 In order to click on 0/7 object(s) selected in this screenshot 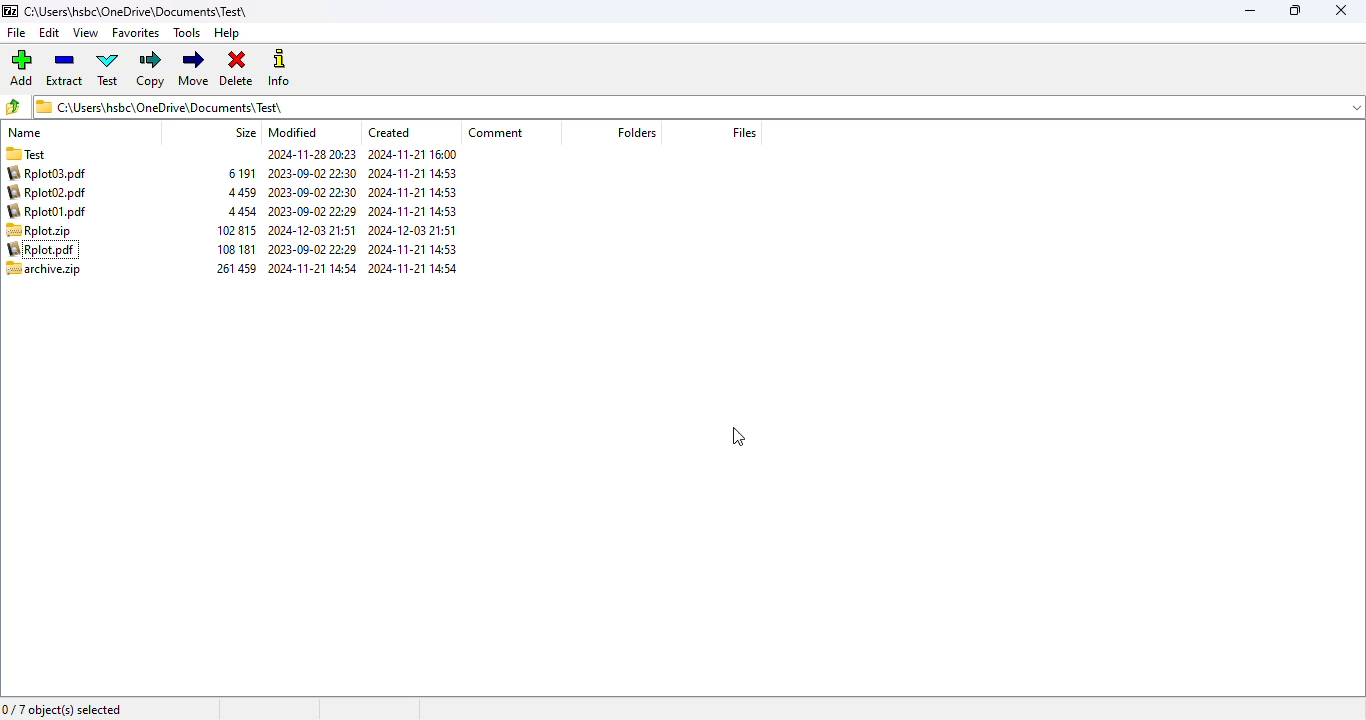, I will do `click(62, 709)`.